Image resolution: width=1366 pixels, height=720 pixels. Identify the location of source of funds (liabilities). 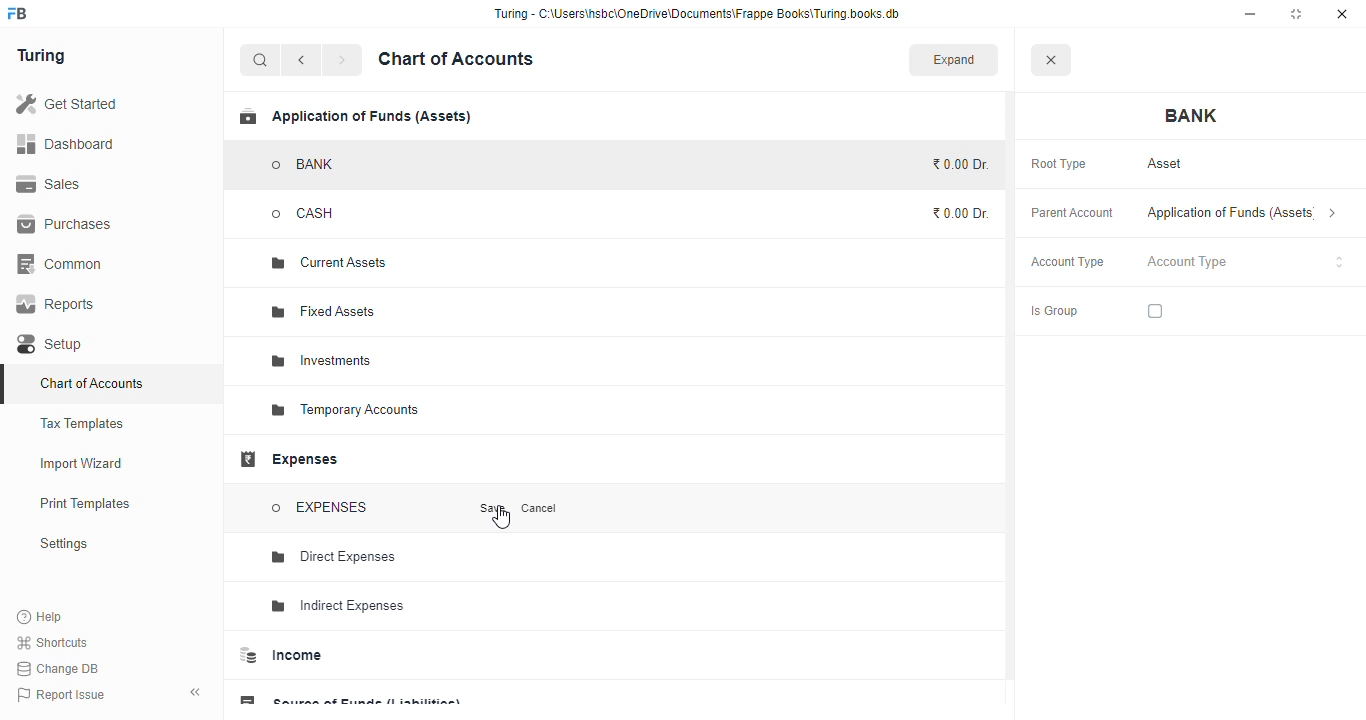
(349, 696).